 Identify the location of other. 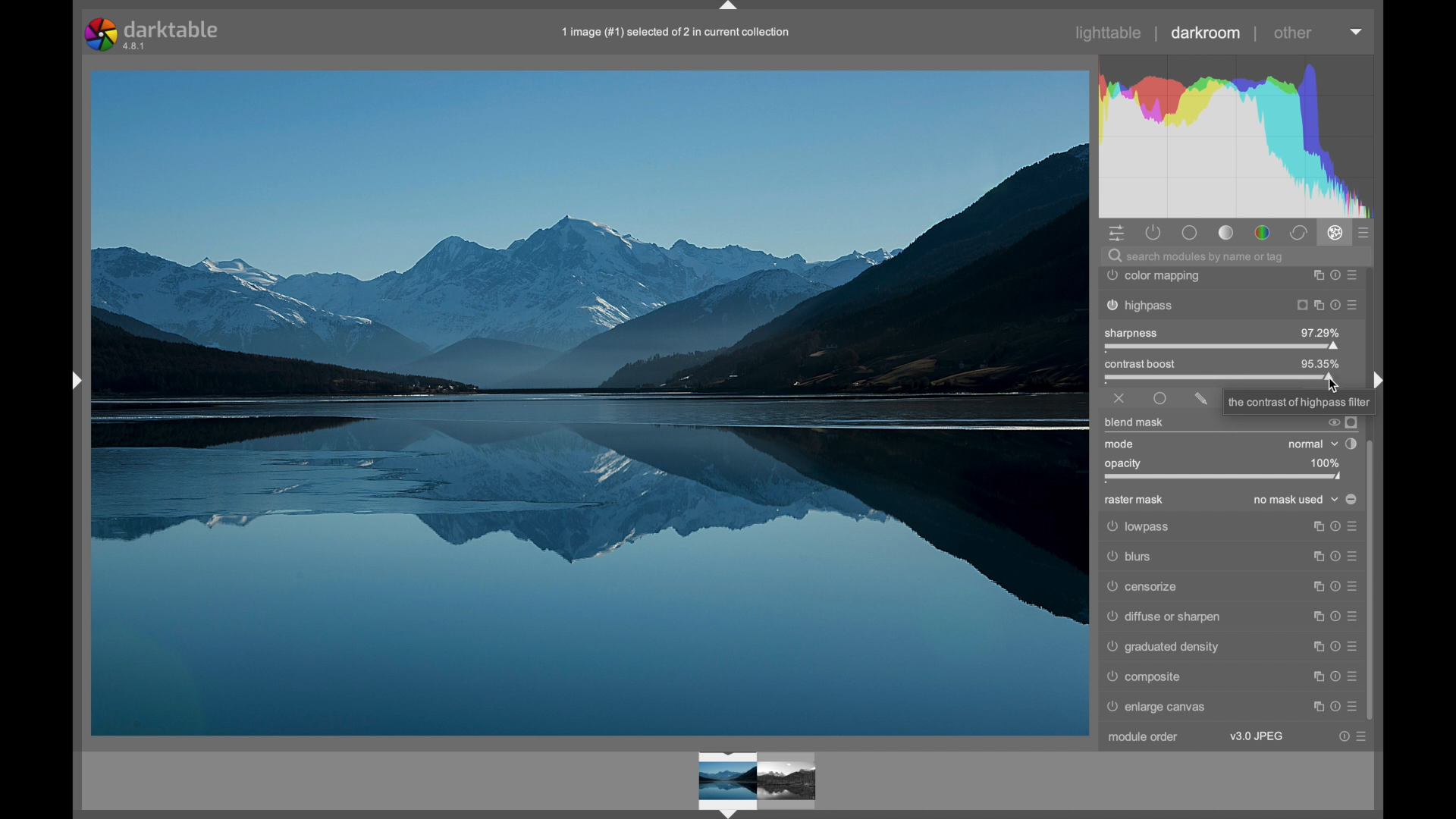
(1292, 33).